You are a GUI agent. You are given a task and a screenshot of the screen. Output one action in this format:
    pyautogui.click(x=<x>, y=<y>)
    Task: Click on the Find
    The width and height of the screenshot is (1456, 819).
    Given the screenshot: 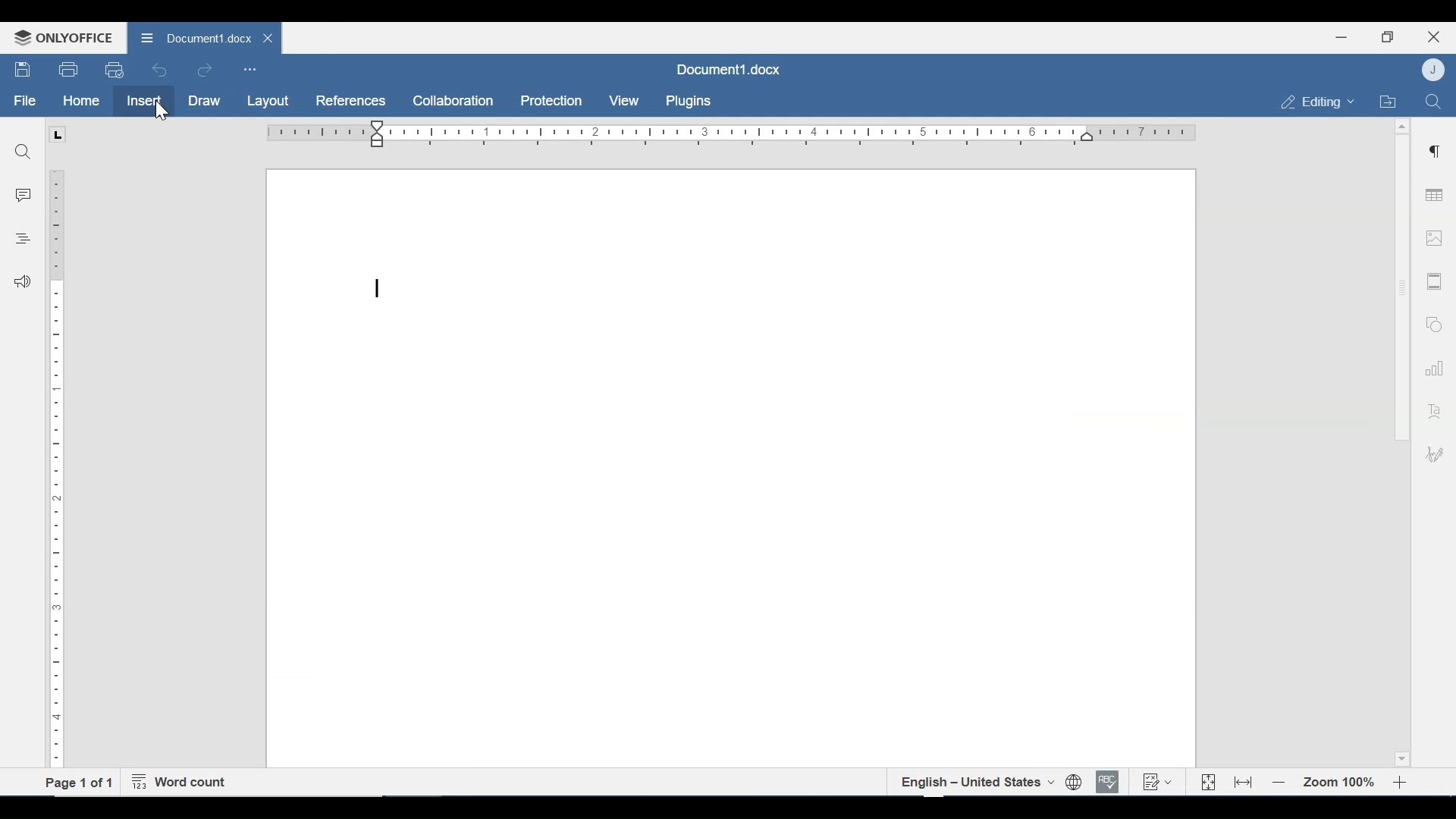 What is the action you would take?
    pyautogui.click(x=24, y=152)
    